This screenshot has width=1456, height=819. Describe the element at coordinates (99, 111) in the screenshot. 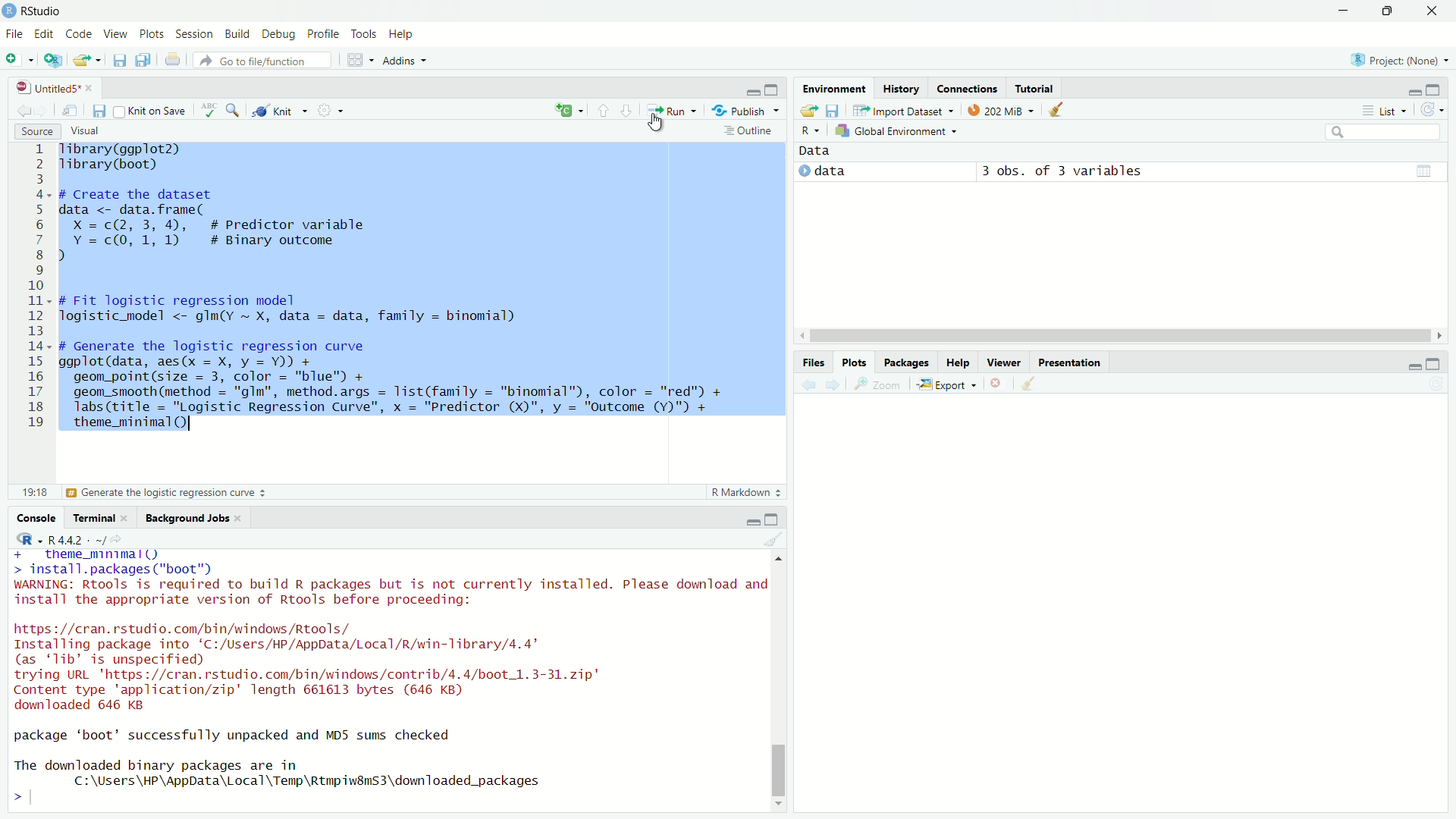

I see `Save current document` at that location.